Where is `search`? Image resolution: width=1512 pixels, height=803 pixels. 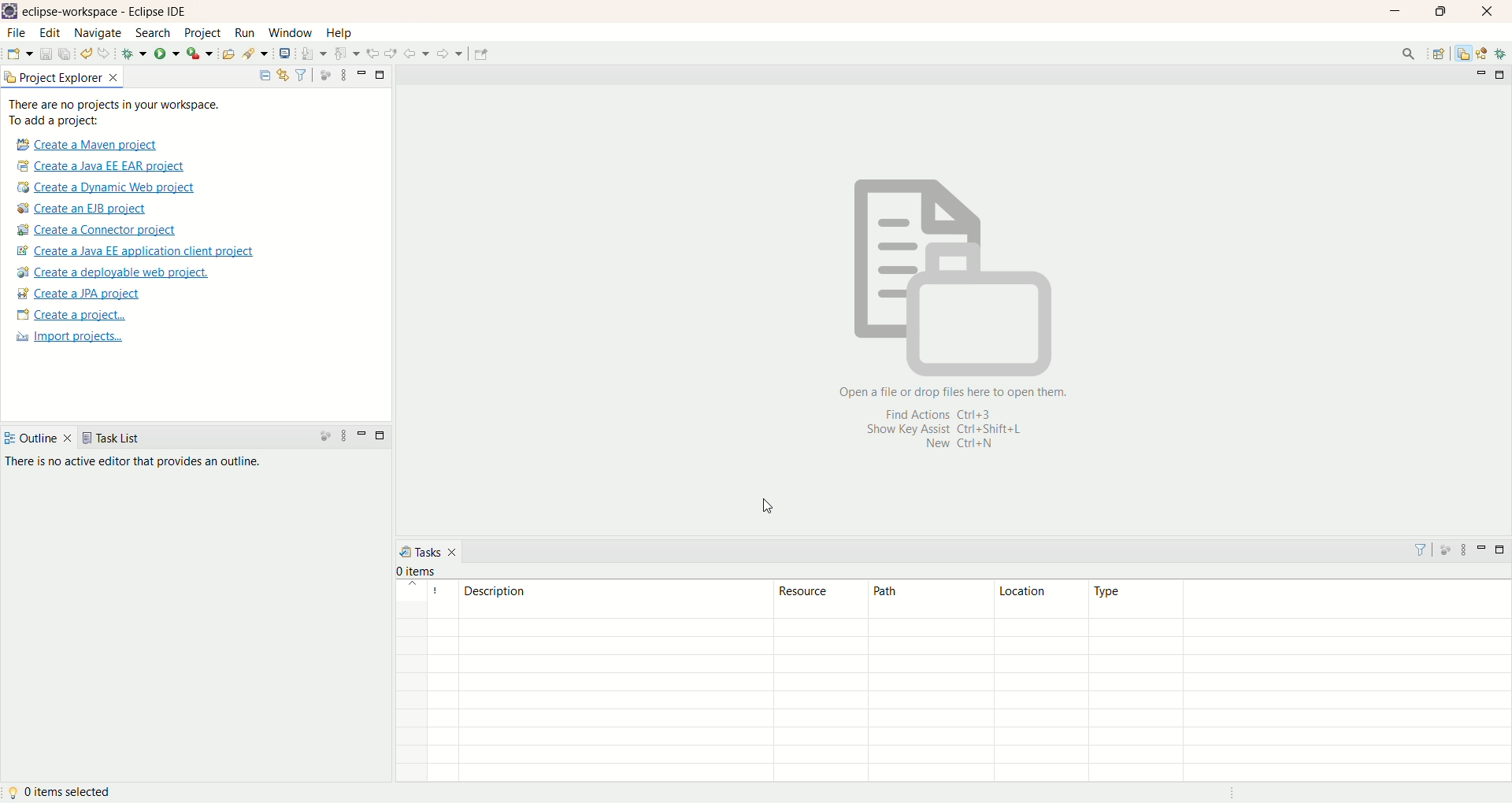
search is located at coordinates (254, 51).